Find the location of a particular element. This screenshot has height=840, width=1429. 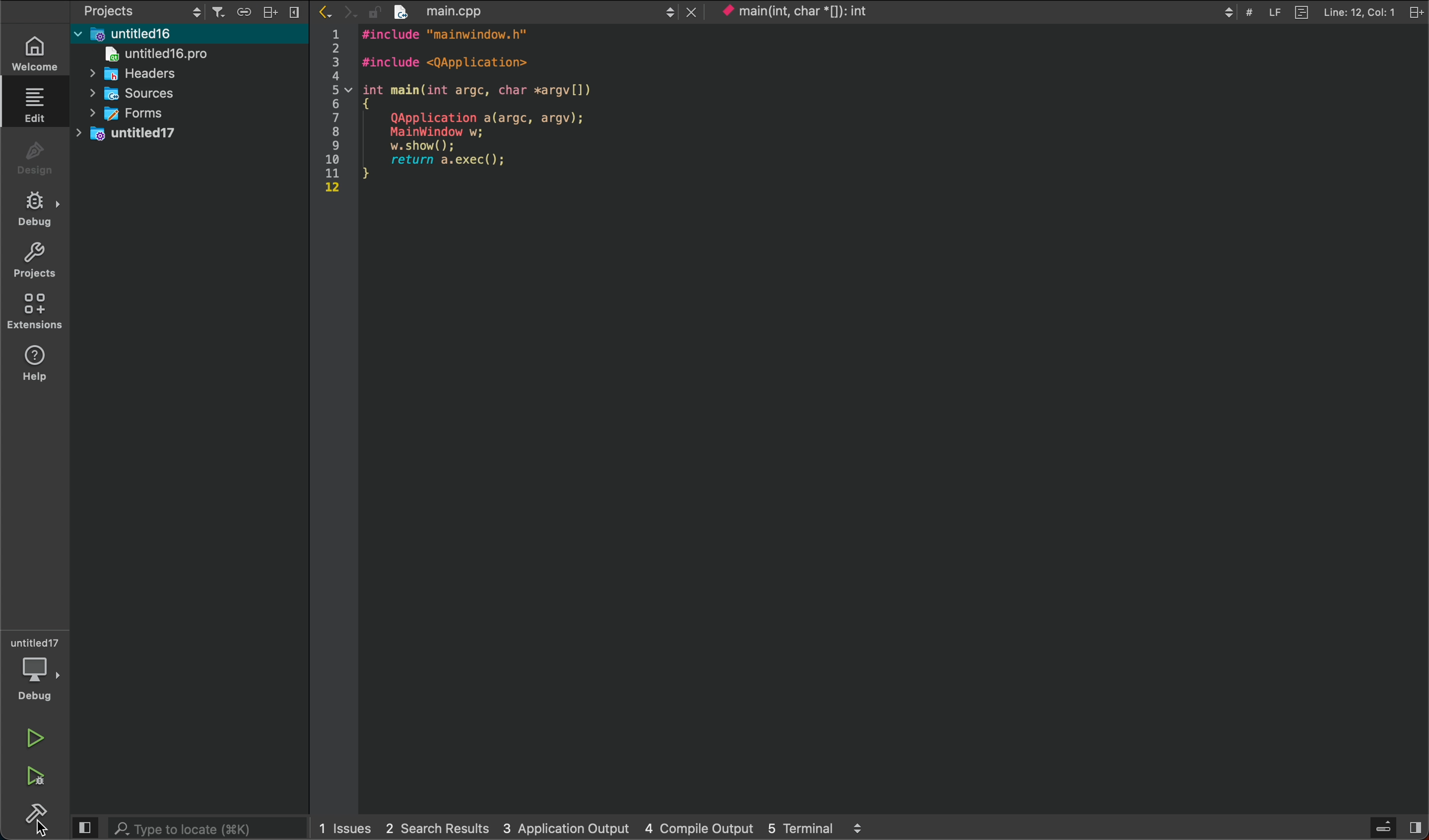

run is located at coordinates (34, 737).